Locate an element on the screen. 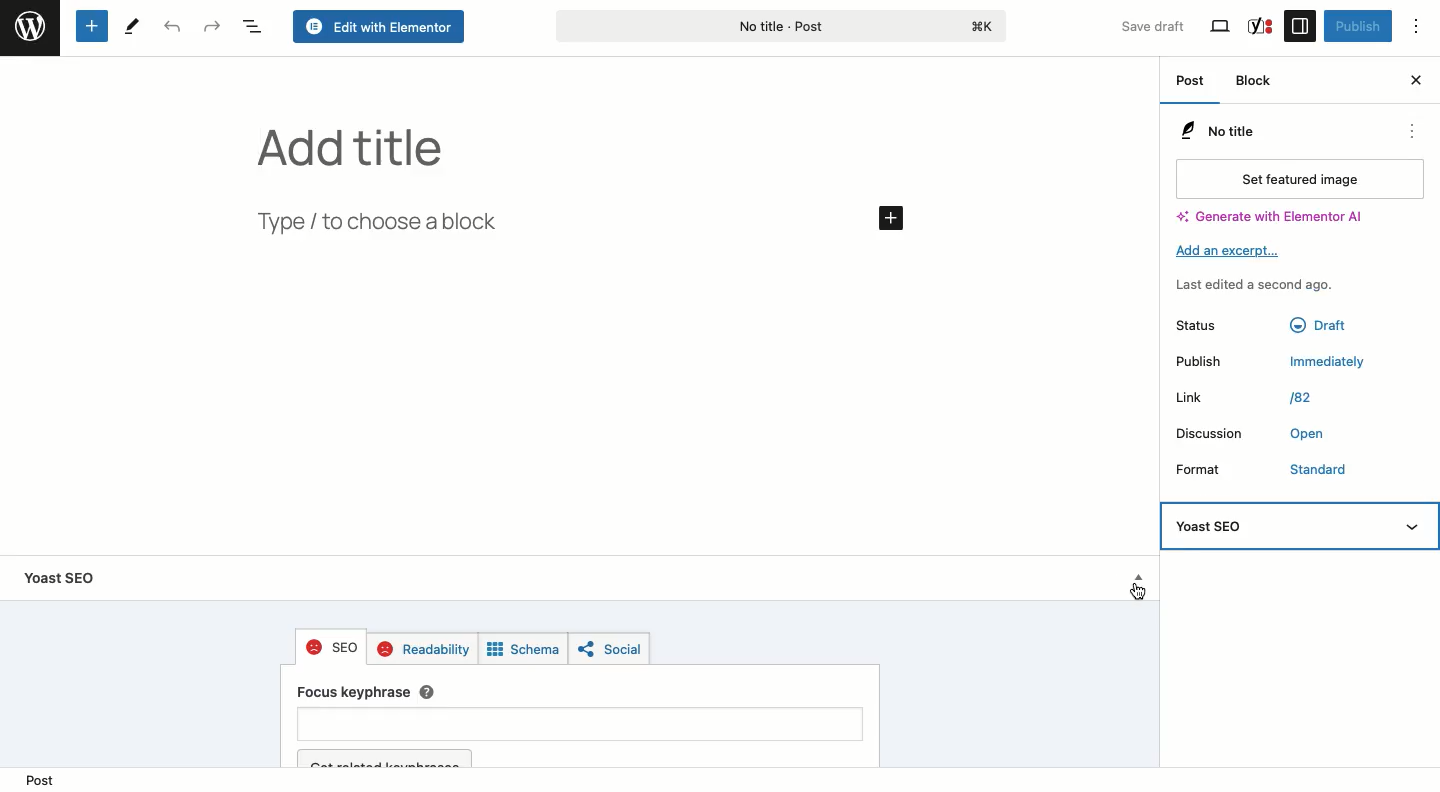  No Title is located at coordinates (1214, 130).